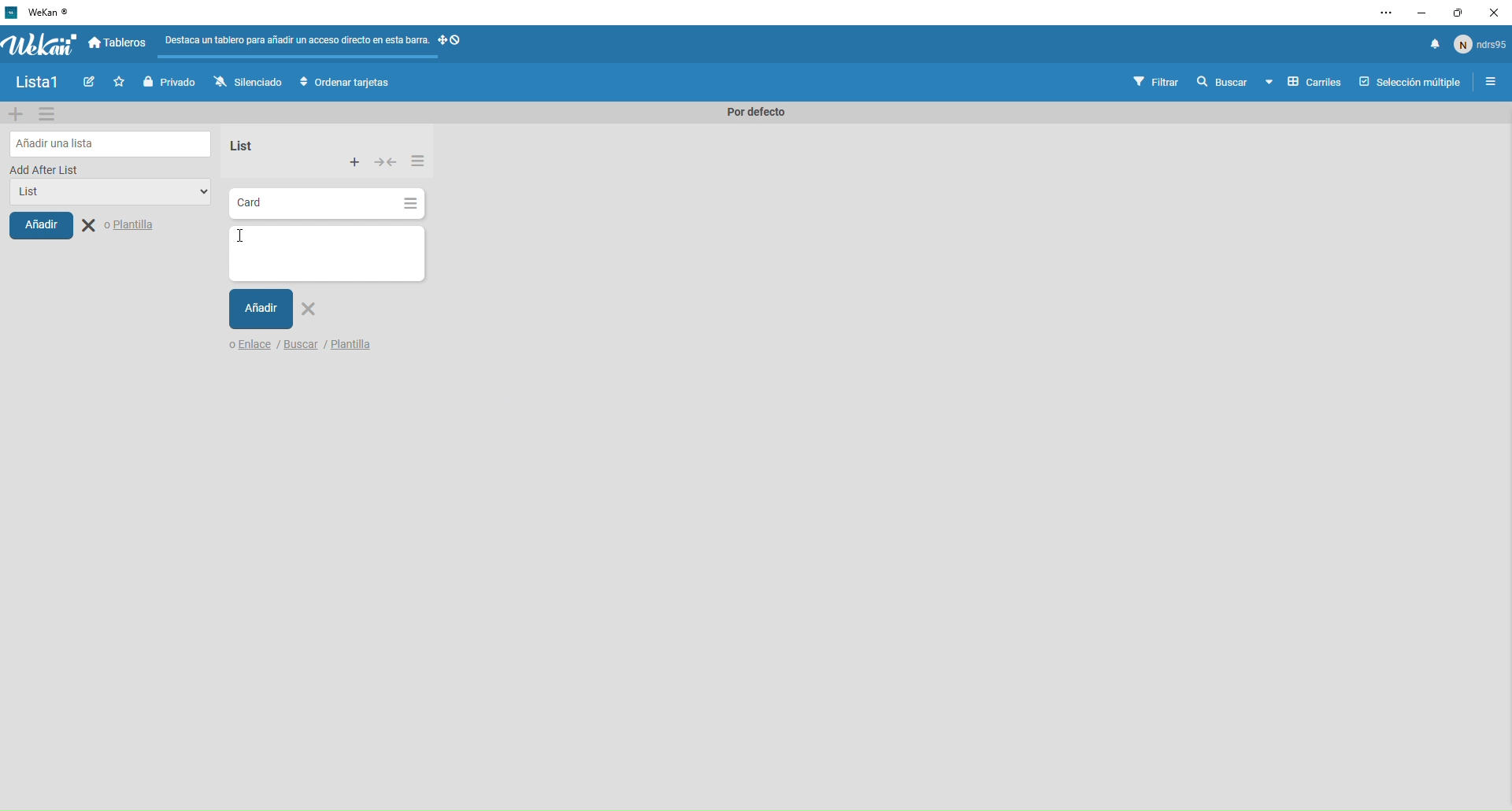 The height and width of the screenshot is (811, 1512). Describe the element at coordinates (312, 312) in the screenshot. I see `Delete` at that location.